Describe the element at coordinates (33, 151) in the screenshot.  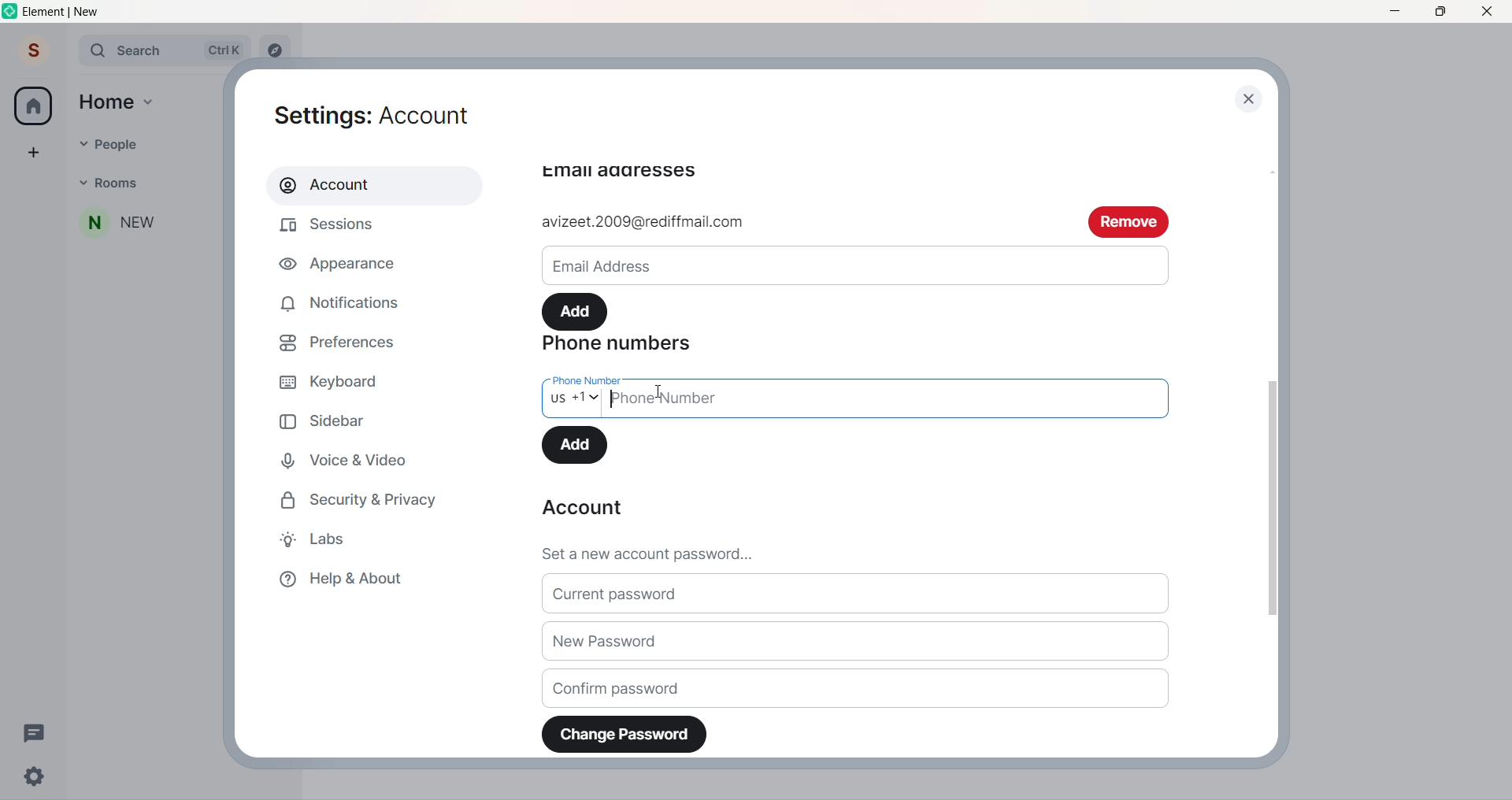
I see `Create a space` at that location.